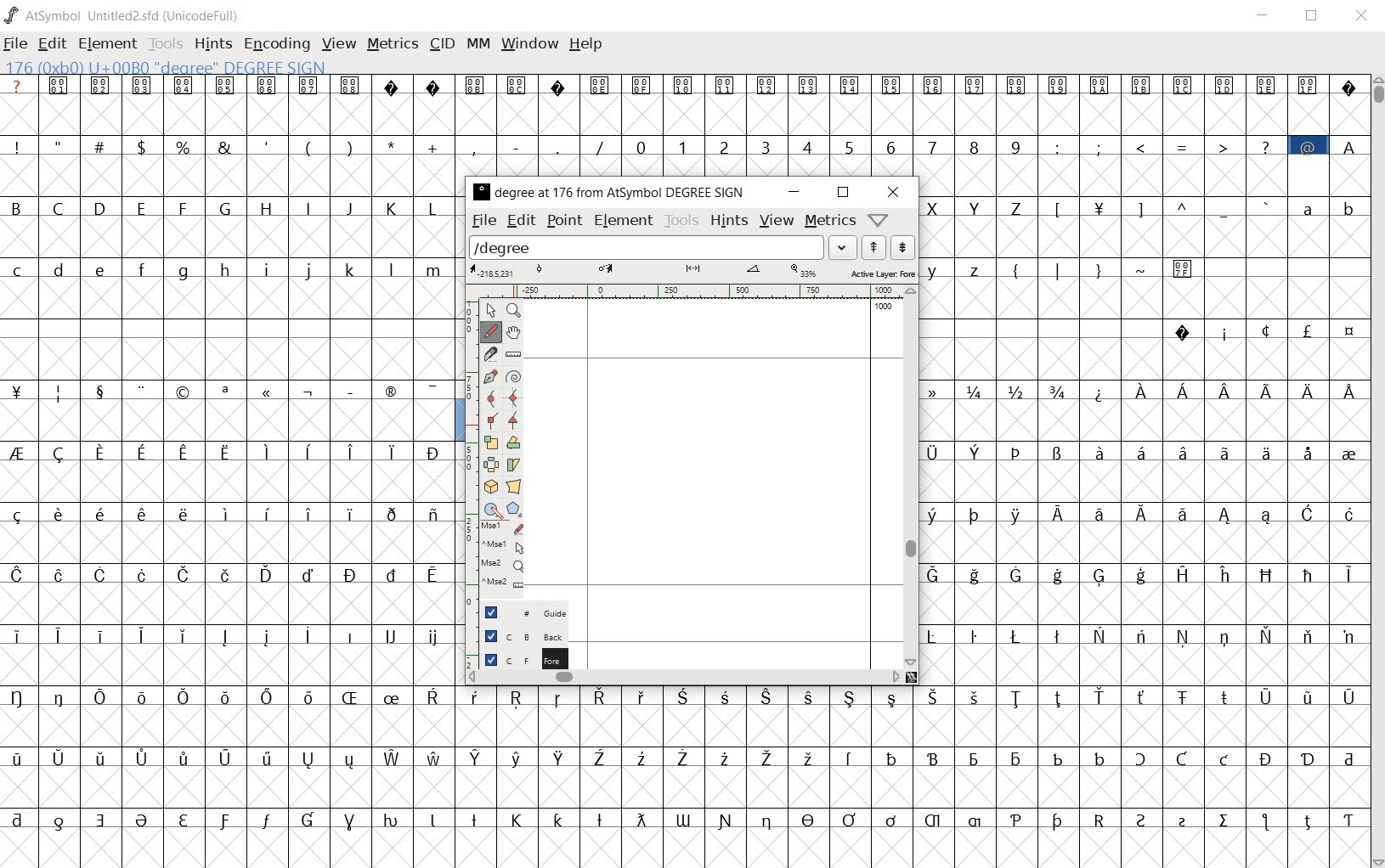  Describe the element at coordinates (1139, 511) in the screenshot. I see `special letters` at that location.